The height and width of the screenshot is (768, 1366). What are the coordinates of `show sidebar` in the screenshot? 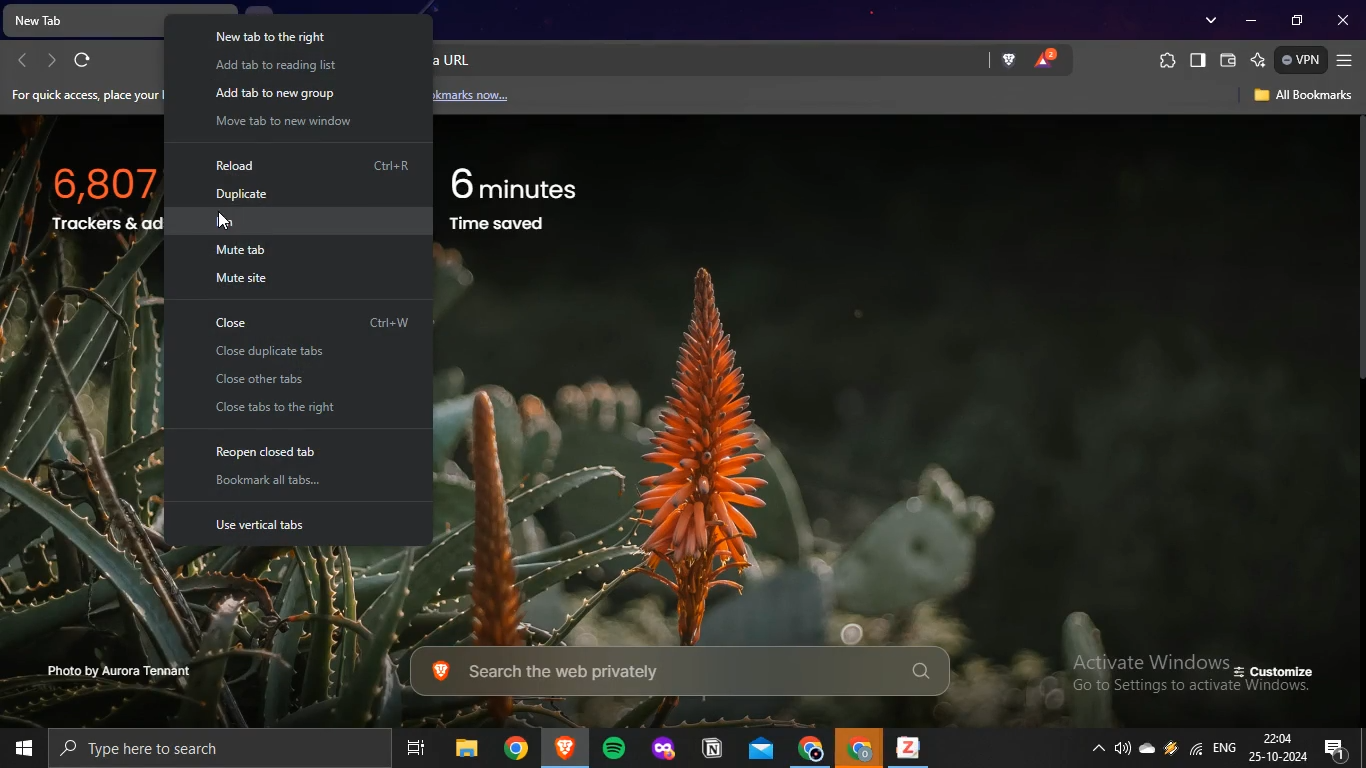 It's located at (1198, 58).